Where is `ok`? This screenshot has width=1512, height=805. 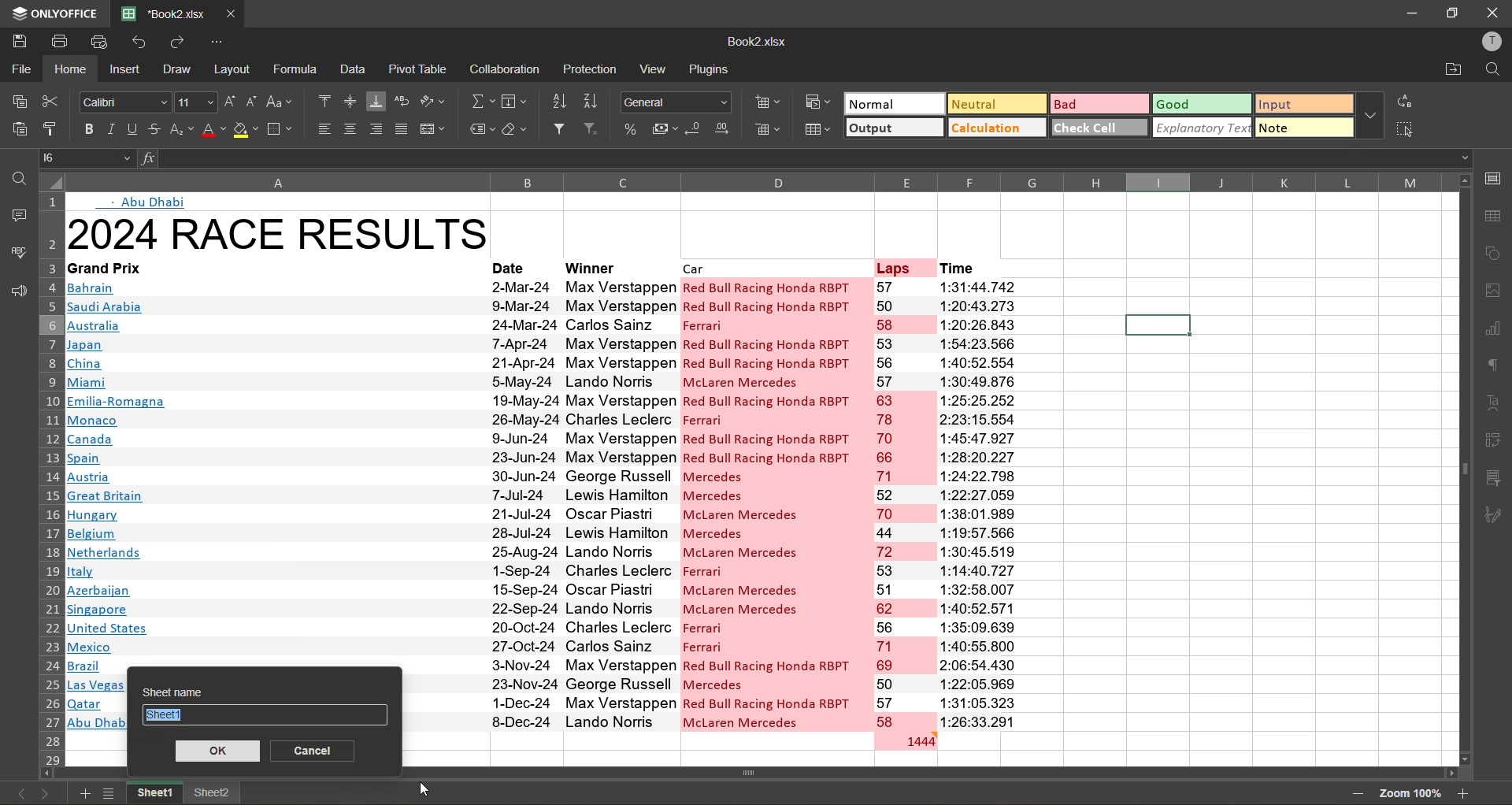
ok is located at coordinates (218, 750).